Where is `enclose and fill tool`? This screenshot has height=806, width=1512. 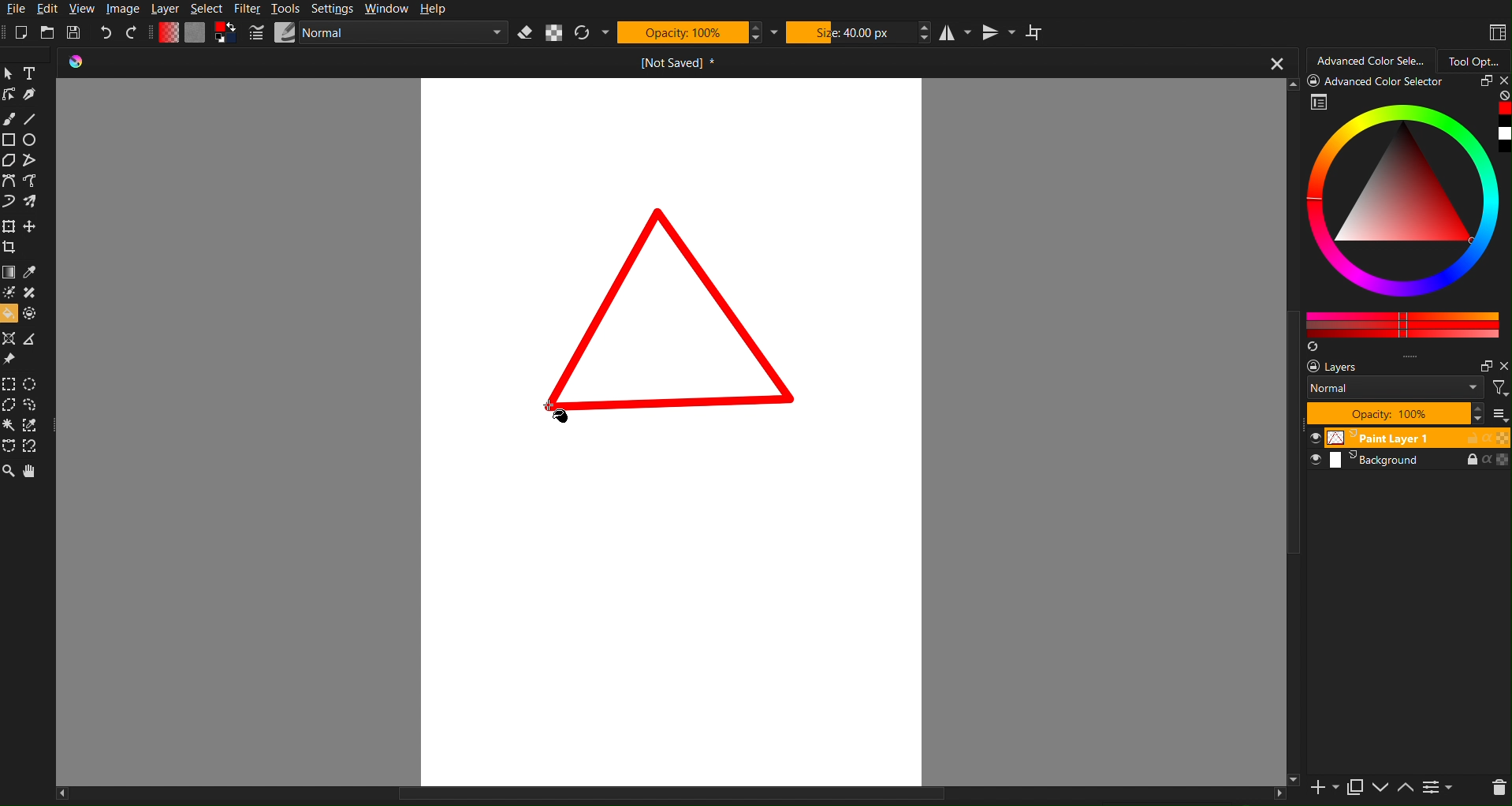 enclose and fill tool is located at coordinates (32, 312).